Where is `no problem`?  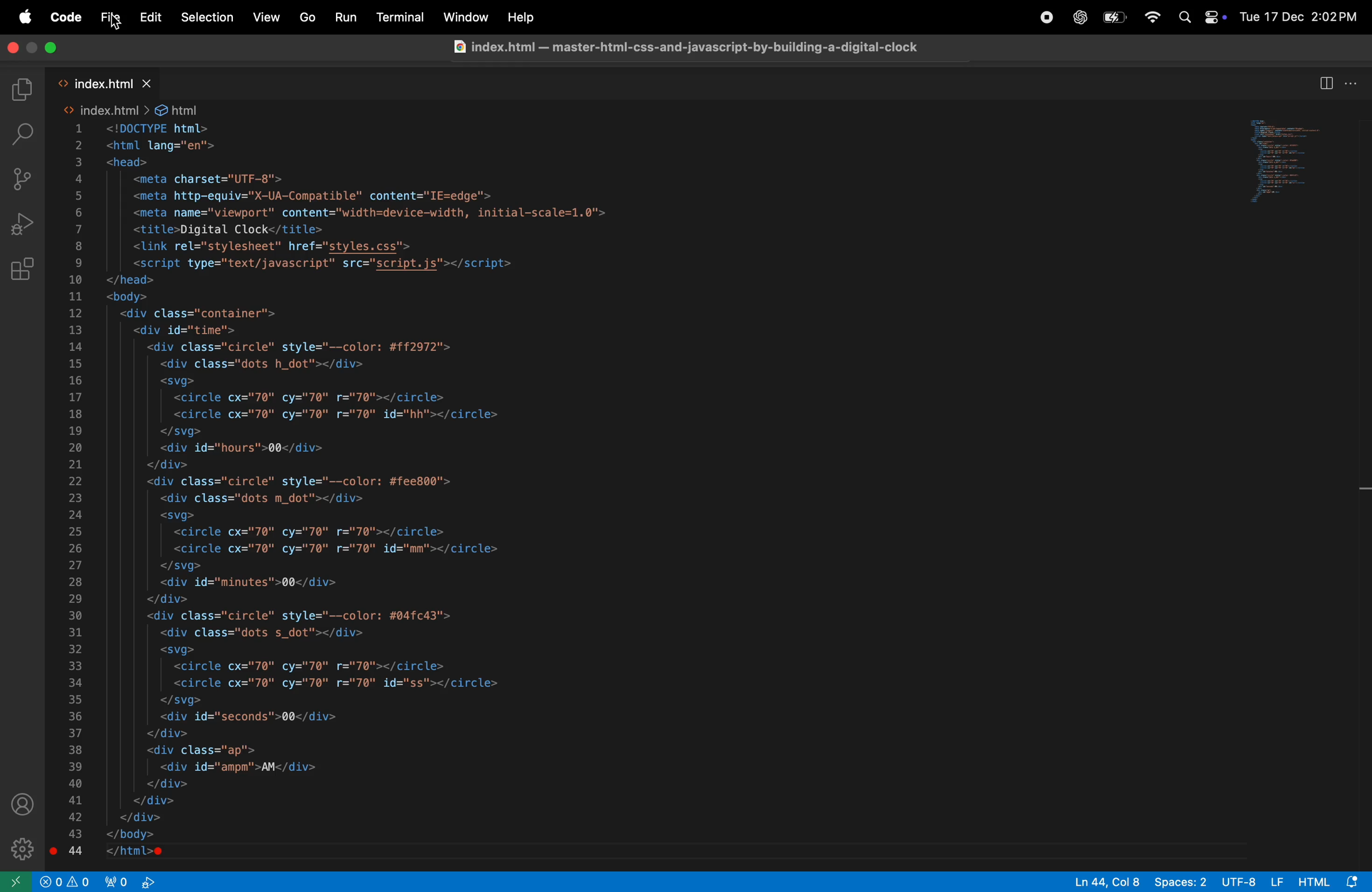
no problem is located at coordinates (48, 881).